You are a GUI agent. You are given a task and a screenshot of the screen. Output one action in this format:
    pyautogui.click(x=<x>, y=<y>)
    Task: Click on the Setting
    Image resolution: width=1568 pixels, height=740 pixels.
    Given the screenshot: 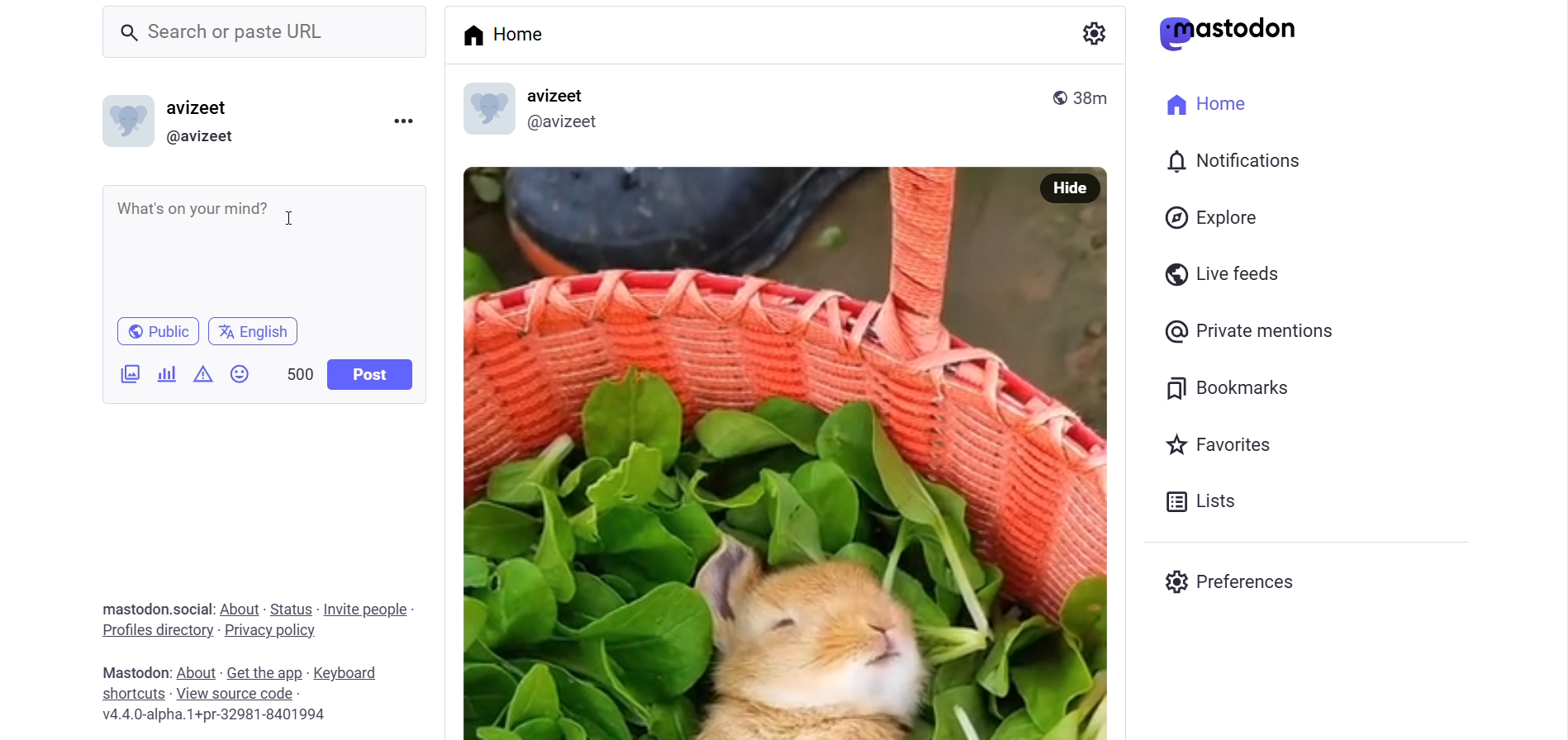 What is the action you would take?
    pyautogui.click(x=1095, y=31)
    